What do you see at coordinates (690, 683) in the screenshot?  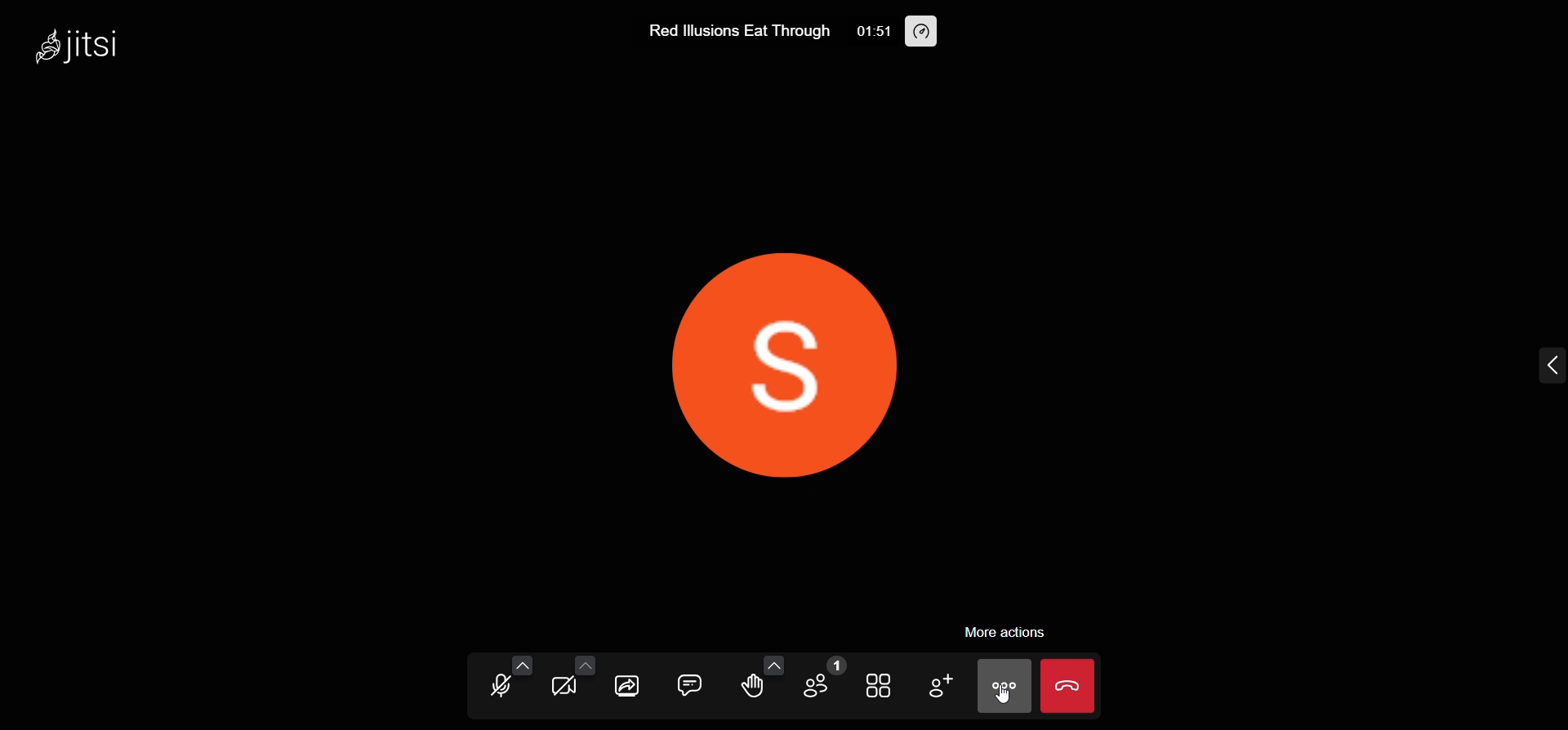 I see `chat` at bounding box center [690, 683].